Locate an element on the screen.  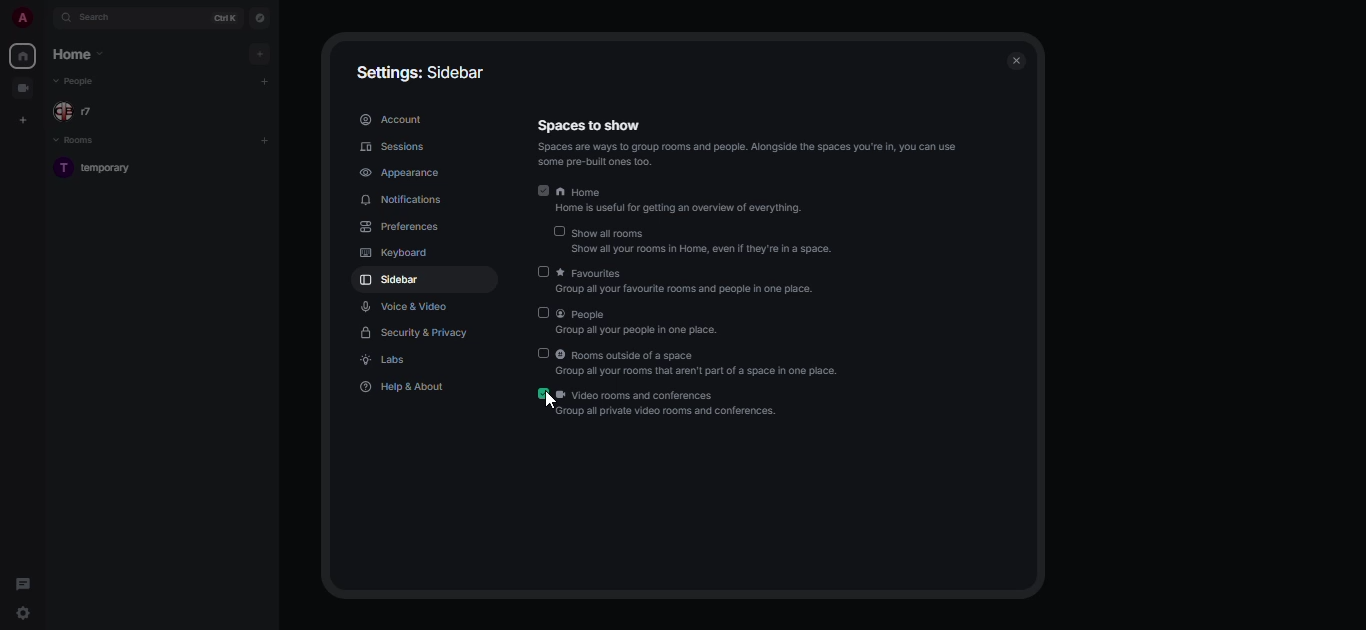
appearance is located at coordinates (397, 175).